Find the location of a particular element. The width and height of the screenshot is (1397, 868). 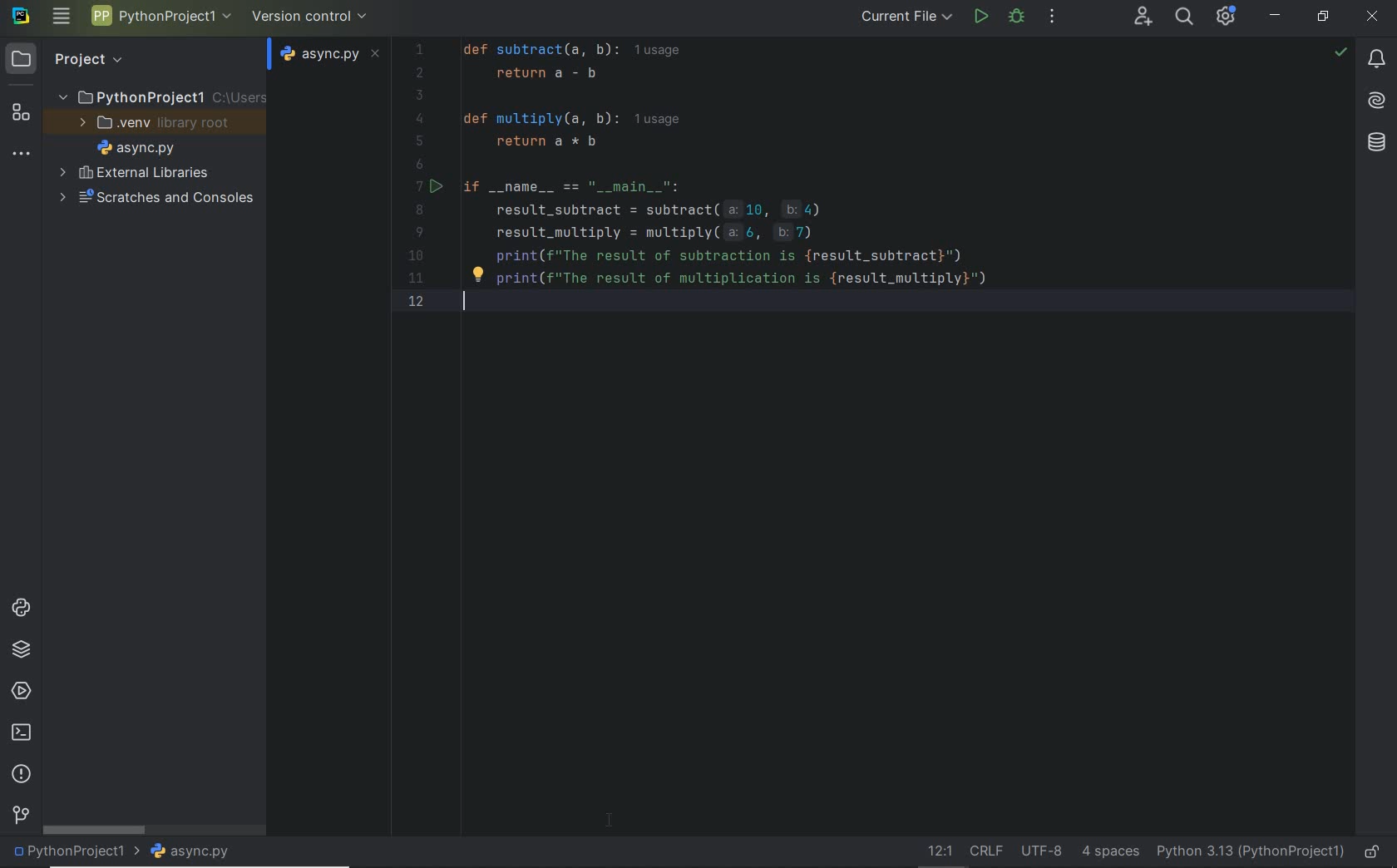

Code for Subtraction Calculator is located at coordinates (732, 178).